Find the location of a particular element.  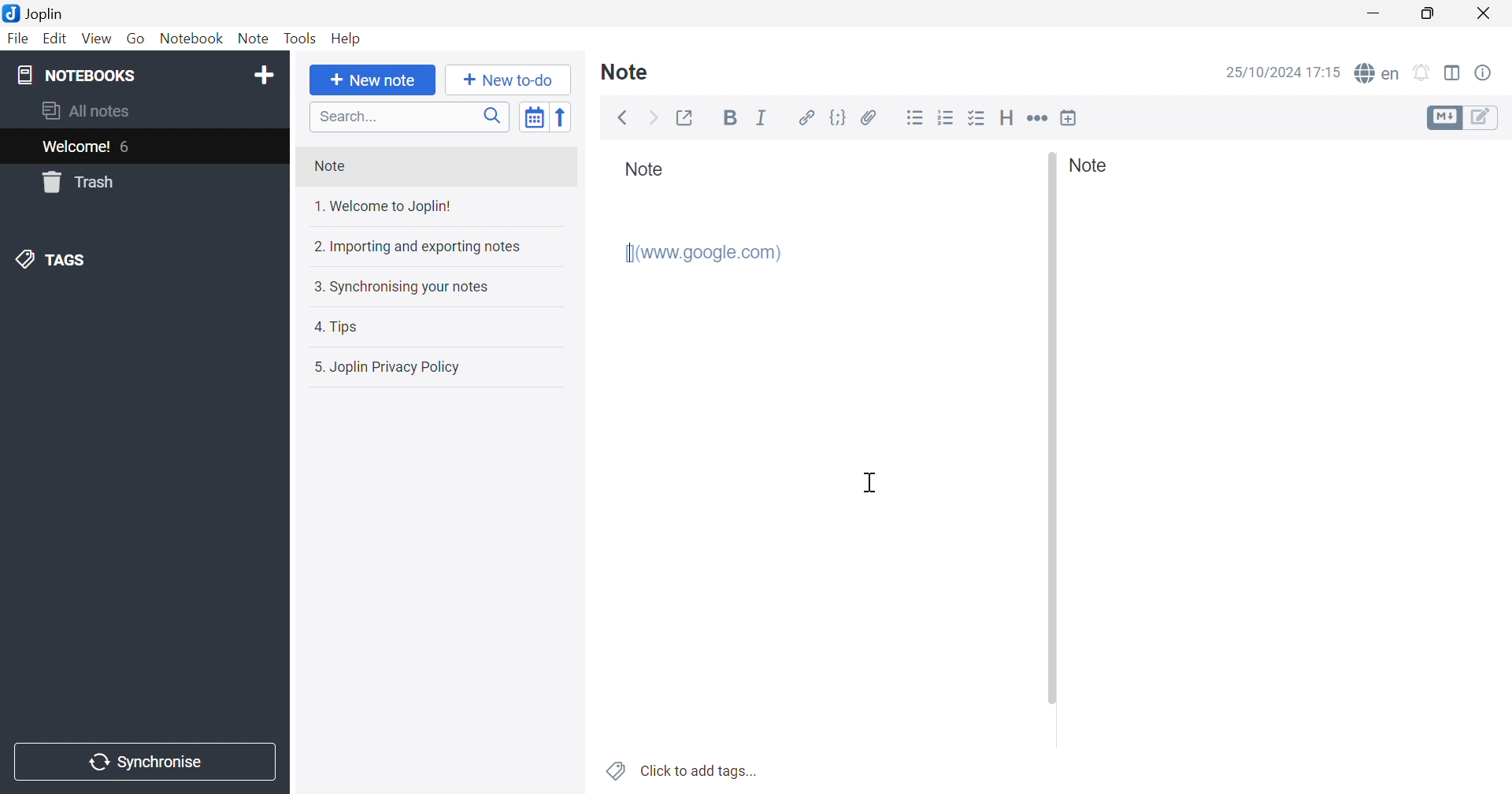

2. Importing and exporting notes is located at coordinates (433, 247).